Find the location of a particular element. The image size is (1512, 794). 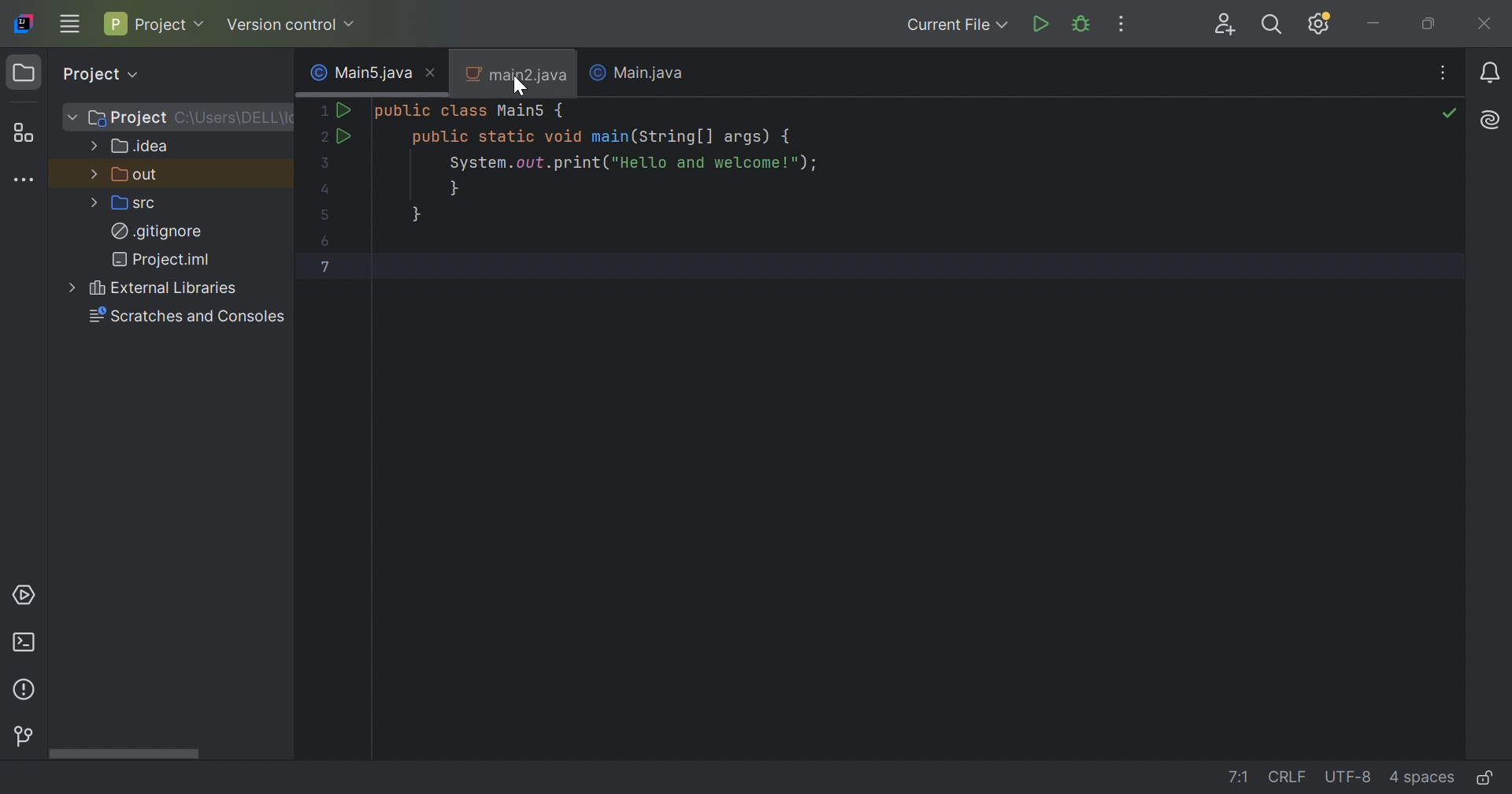

4 spaces is located at coordinates (1421, 777).